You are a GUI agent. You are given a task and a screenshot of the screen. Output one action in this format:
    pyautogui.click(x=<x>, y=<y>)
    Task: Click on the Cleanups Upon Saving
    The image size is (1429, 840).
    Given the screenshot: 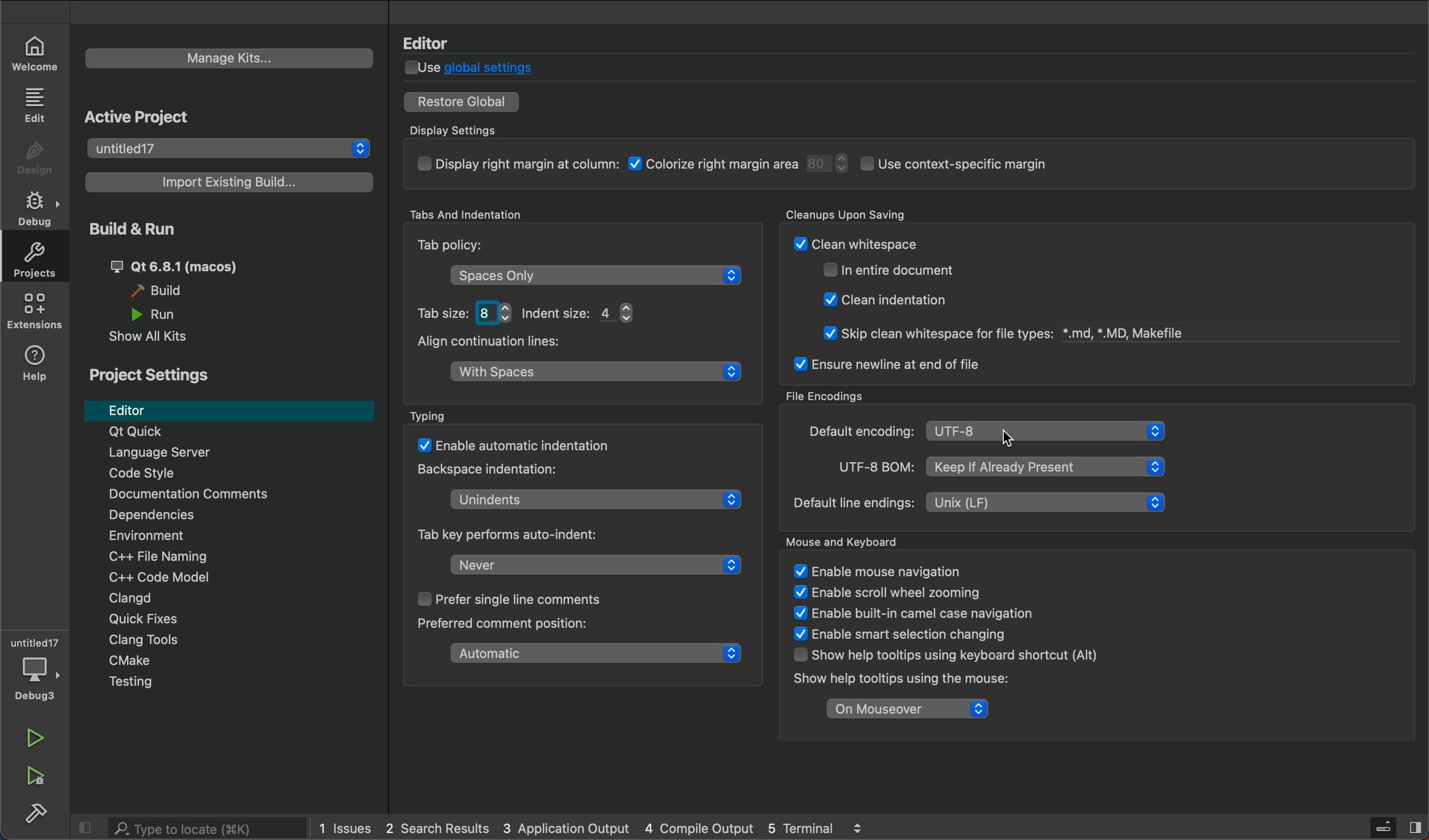 What is the action you would take?
    pyautogui.click(x=846, y=212)
    